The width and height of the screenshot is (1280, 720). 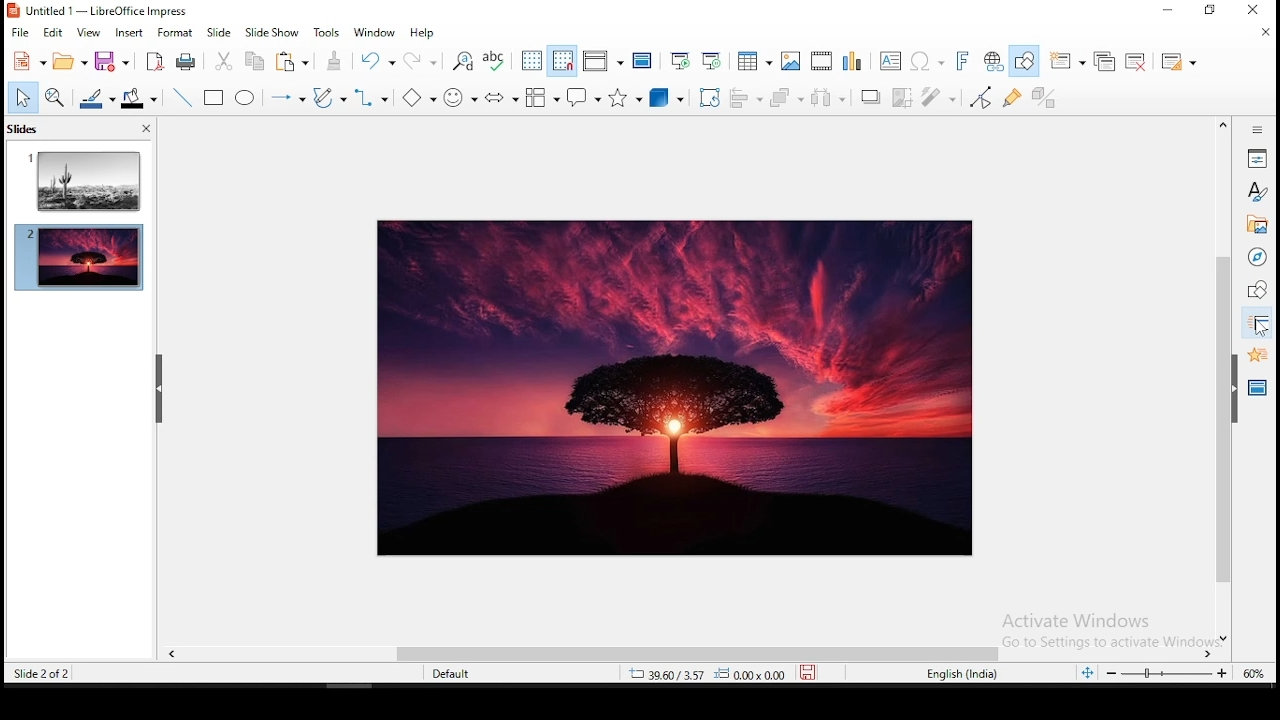 I want to click on help, so click(x=423, y=36).